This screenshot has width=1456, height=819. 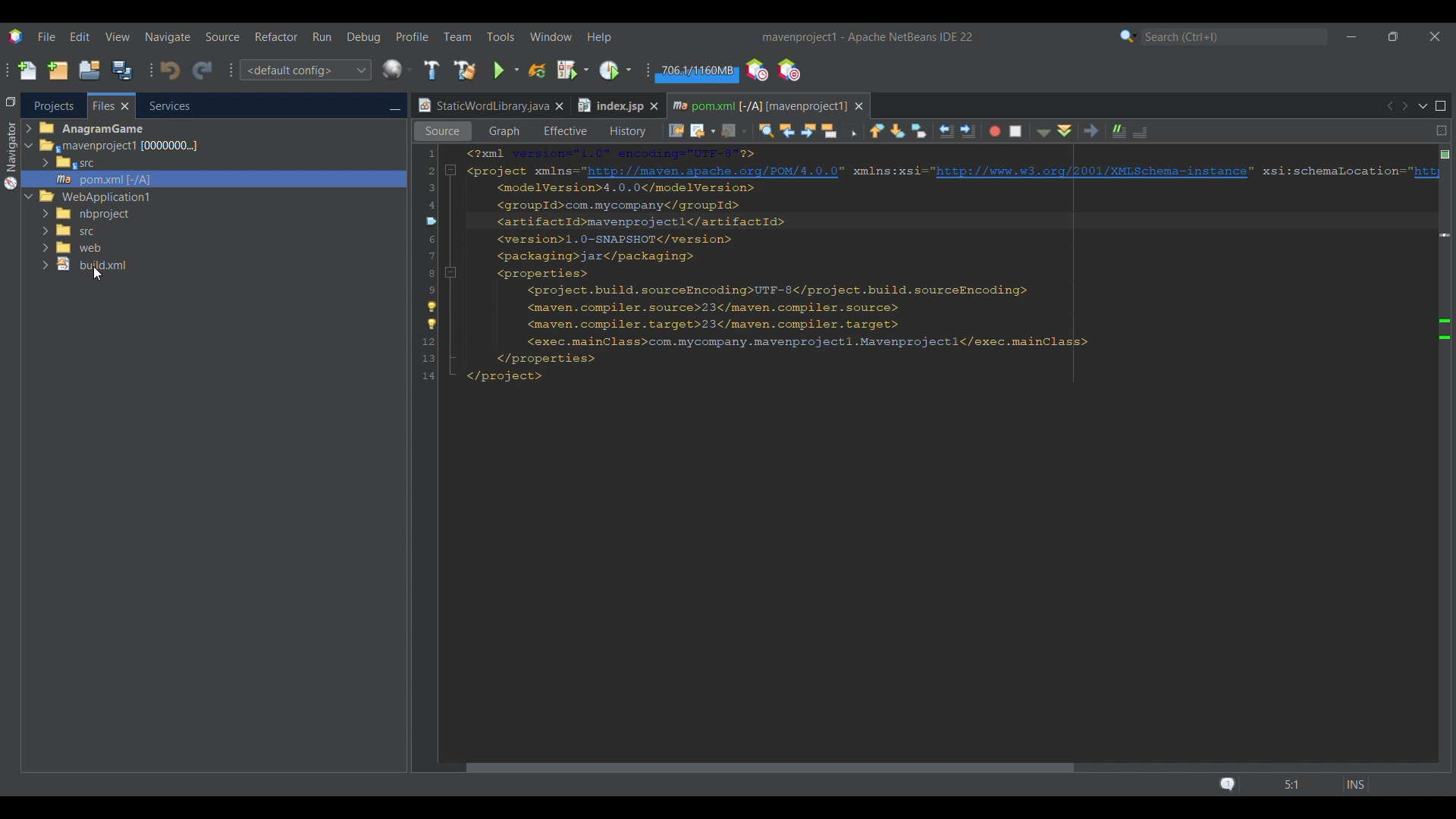 What do you see at coordinates (598, 38) in the screenshot?
I see `Help menu` at bounding box center [598, 38].